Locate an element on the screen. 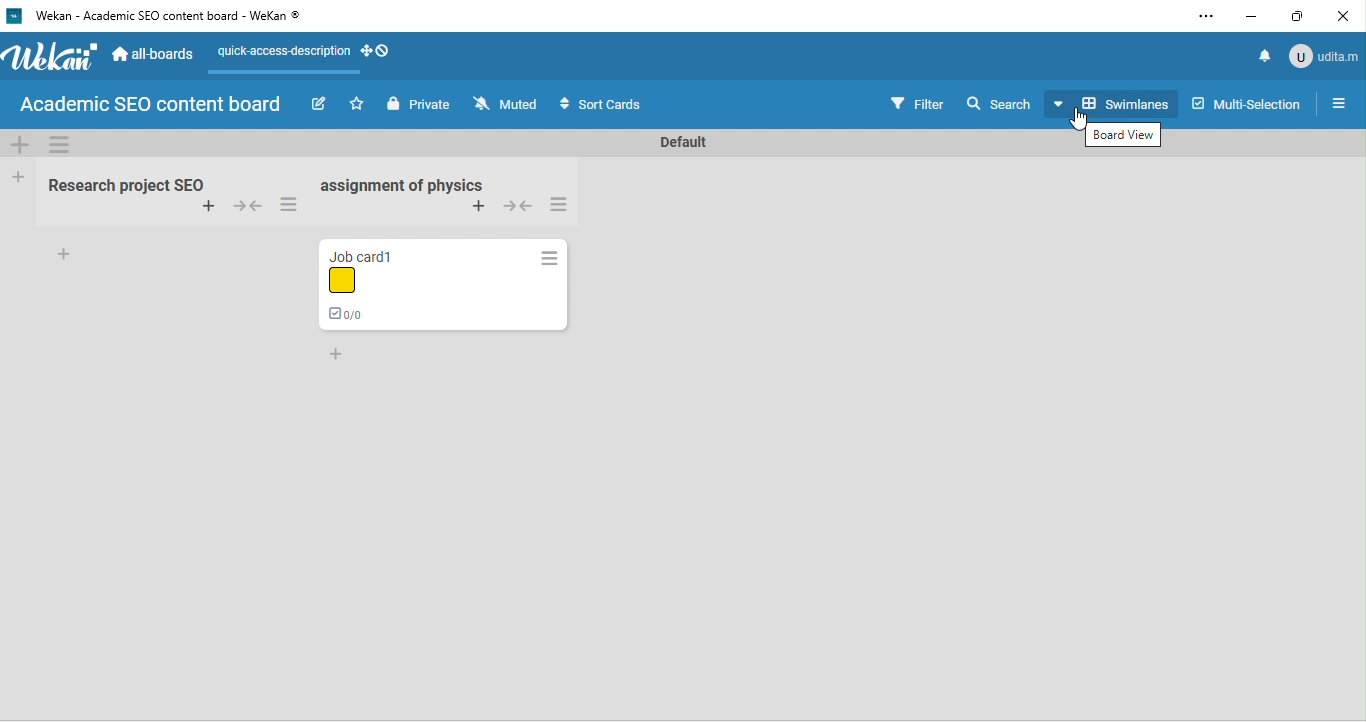  cursor movement is located at coordinates (1081, 119).